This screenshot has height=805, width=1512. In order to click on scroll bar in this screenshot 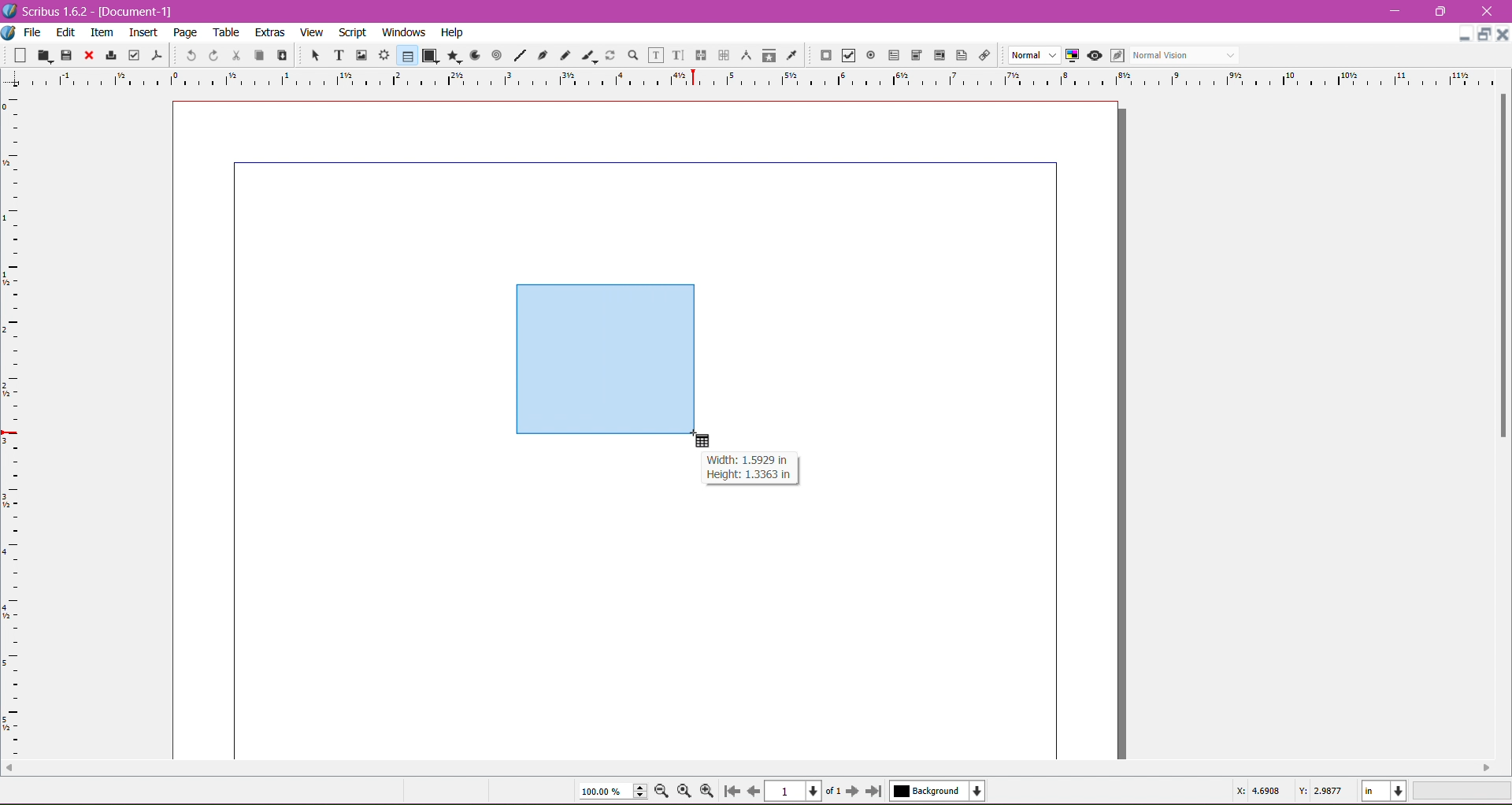, I will do `click(1500, 421)`.